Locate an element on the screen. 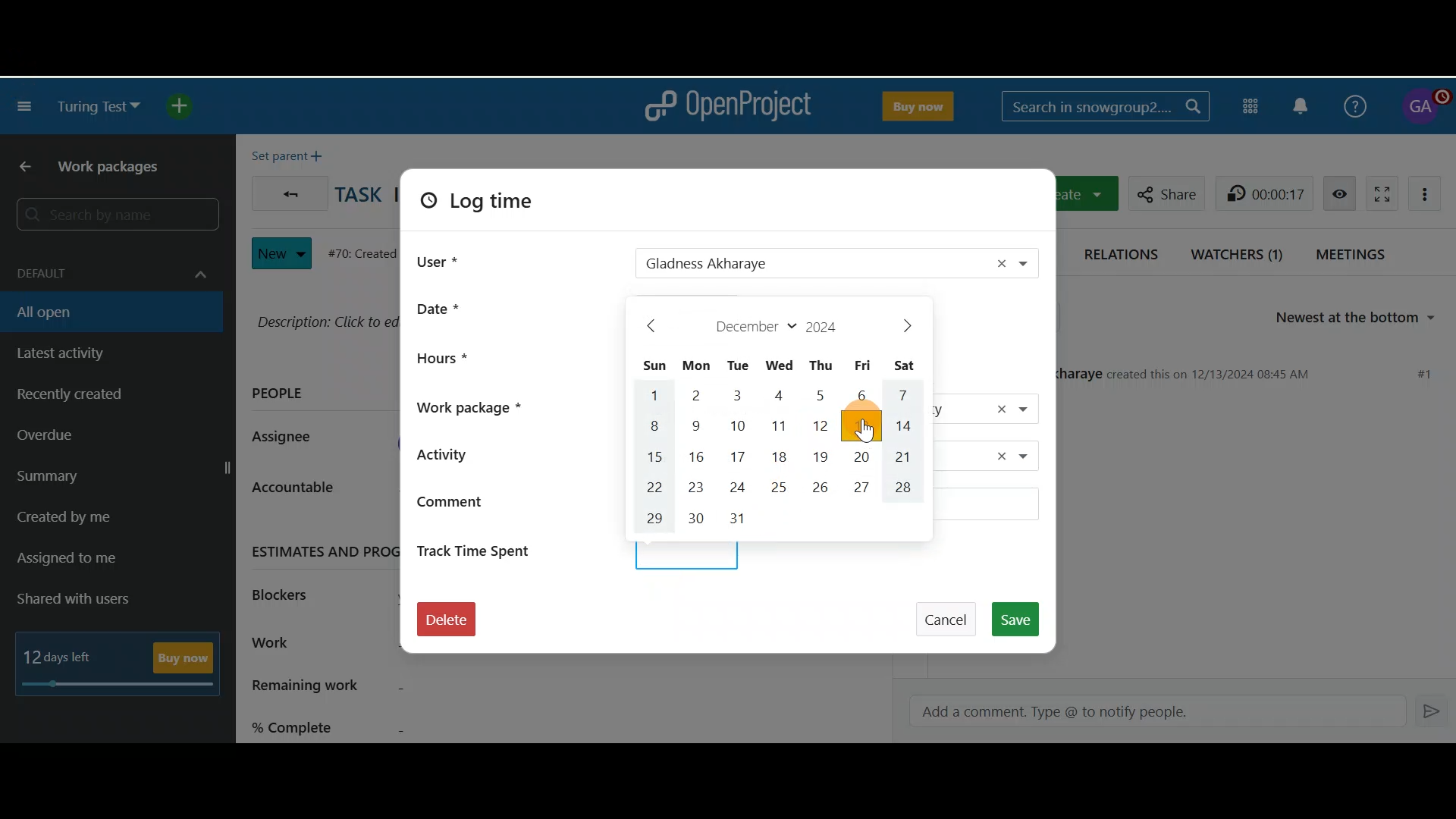 This screenshot has width=1456, height=819. ESTIMATES AND PROGRESS is located at coordinates (320, 550).